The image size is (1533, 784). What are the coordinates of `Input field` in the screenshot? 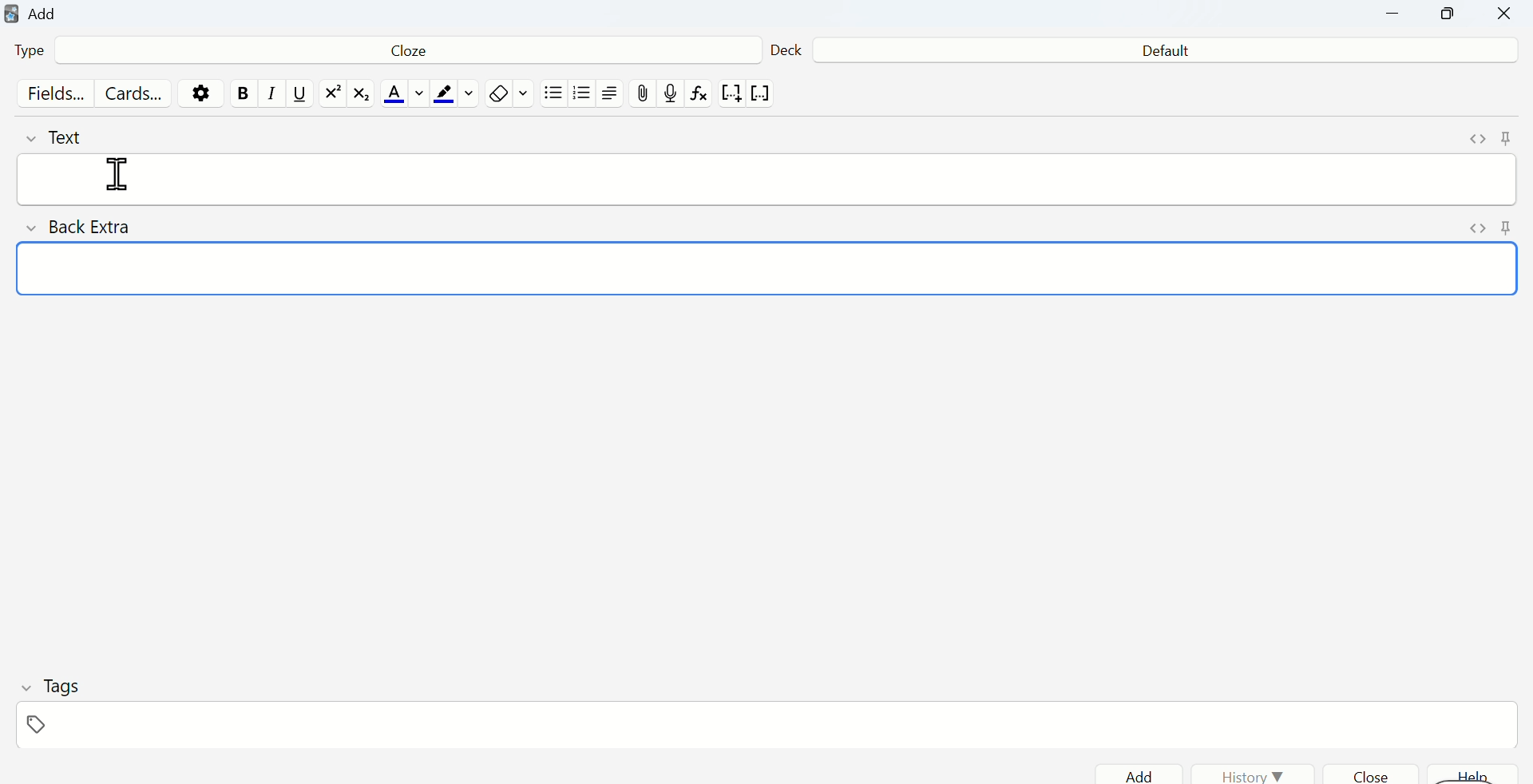 It's located at (801, 179).